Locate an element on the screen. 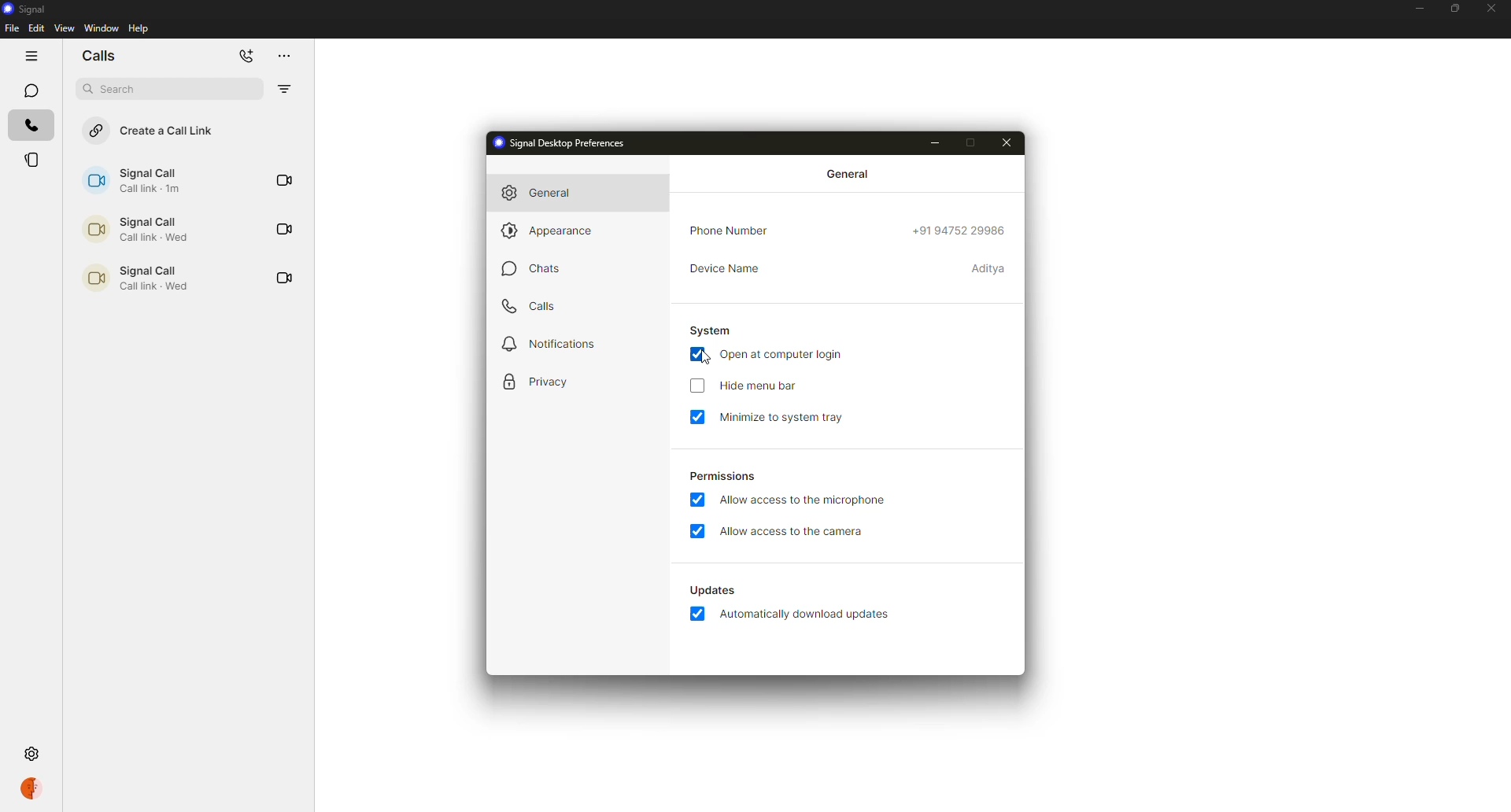 The height and width of the screenshot is (812, 1511). maximize is located at coordinates (1453, 9).